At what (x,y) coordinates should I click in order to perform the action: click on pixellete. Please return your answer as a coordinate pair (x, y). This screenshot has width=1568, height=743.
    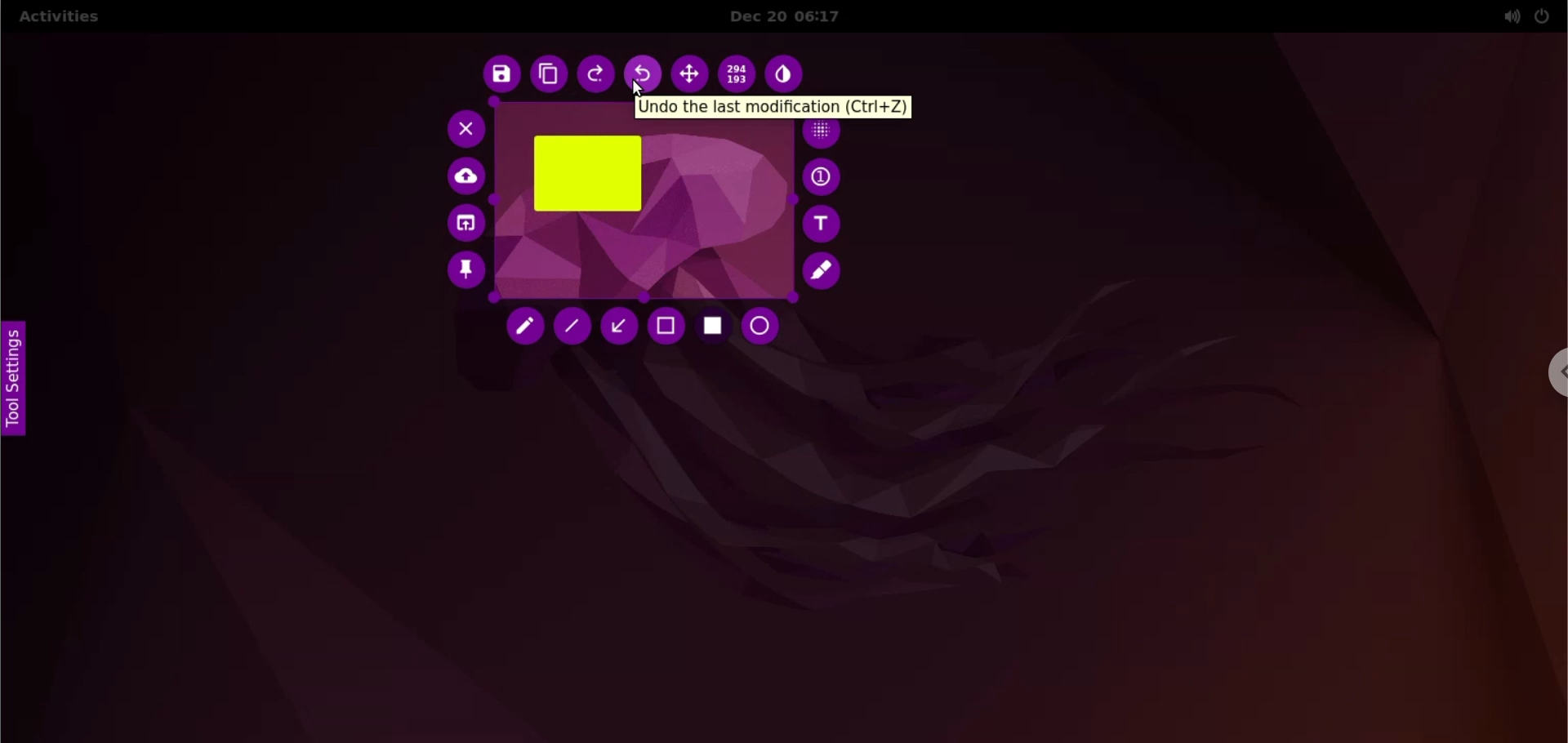
    Looking at the image, I should click on (824, 134).